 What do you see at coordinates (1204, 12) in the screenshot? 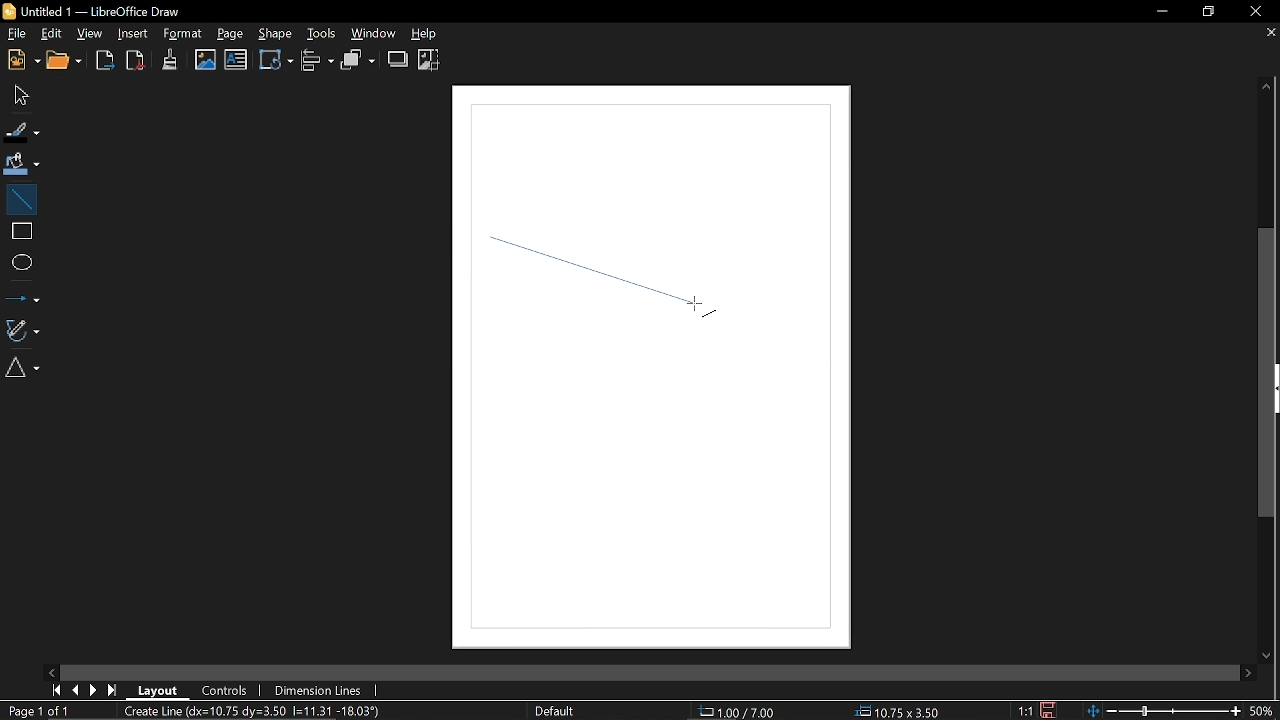
I see `Restore down` at bounding box center [1204, 12].